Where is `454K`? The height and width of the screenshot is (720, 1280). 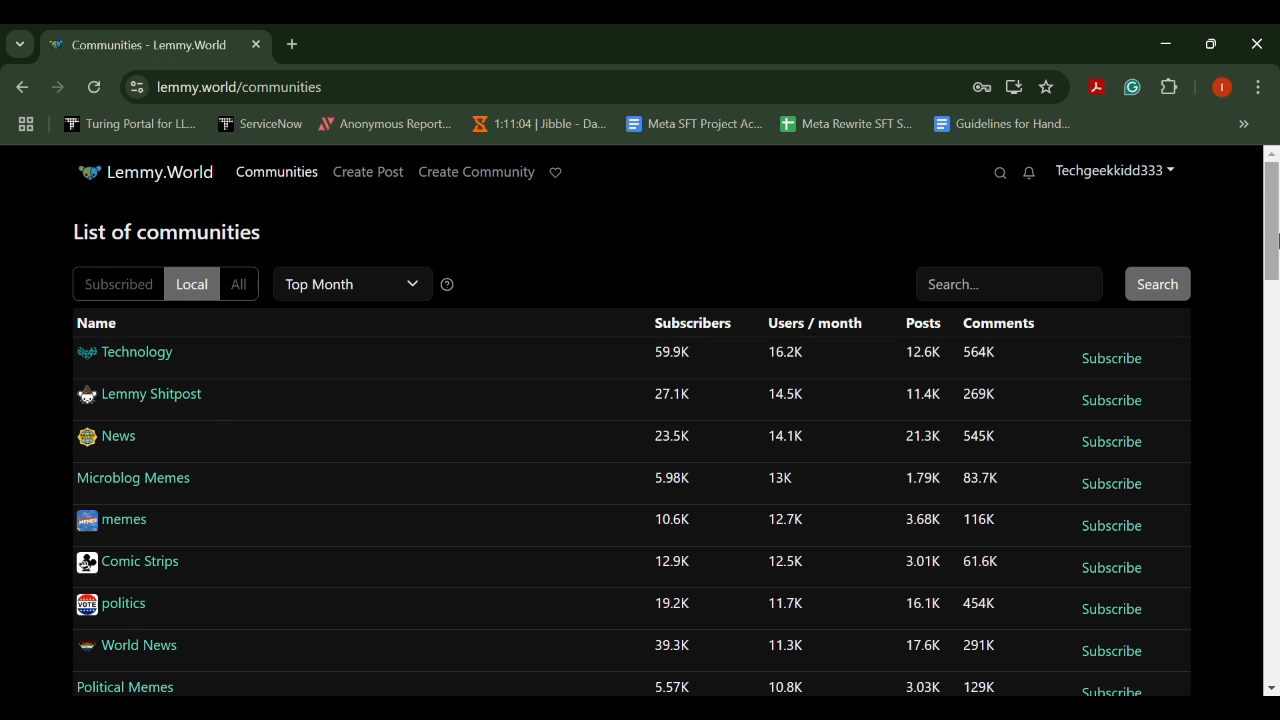
454K is located at coordinates (978, 603).